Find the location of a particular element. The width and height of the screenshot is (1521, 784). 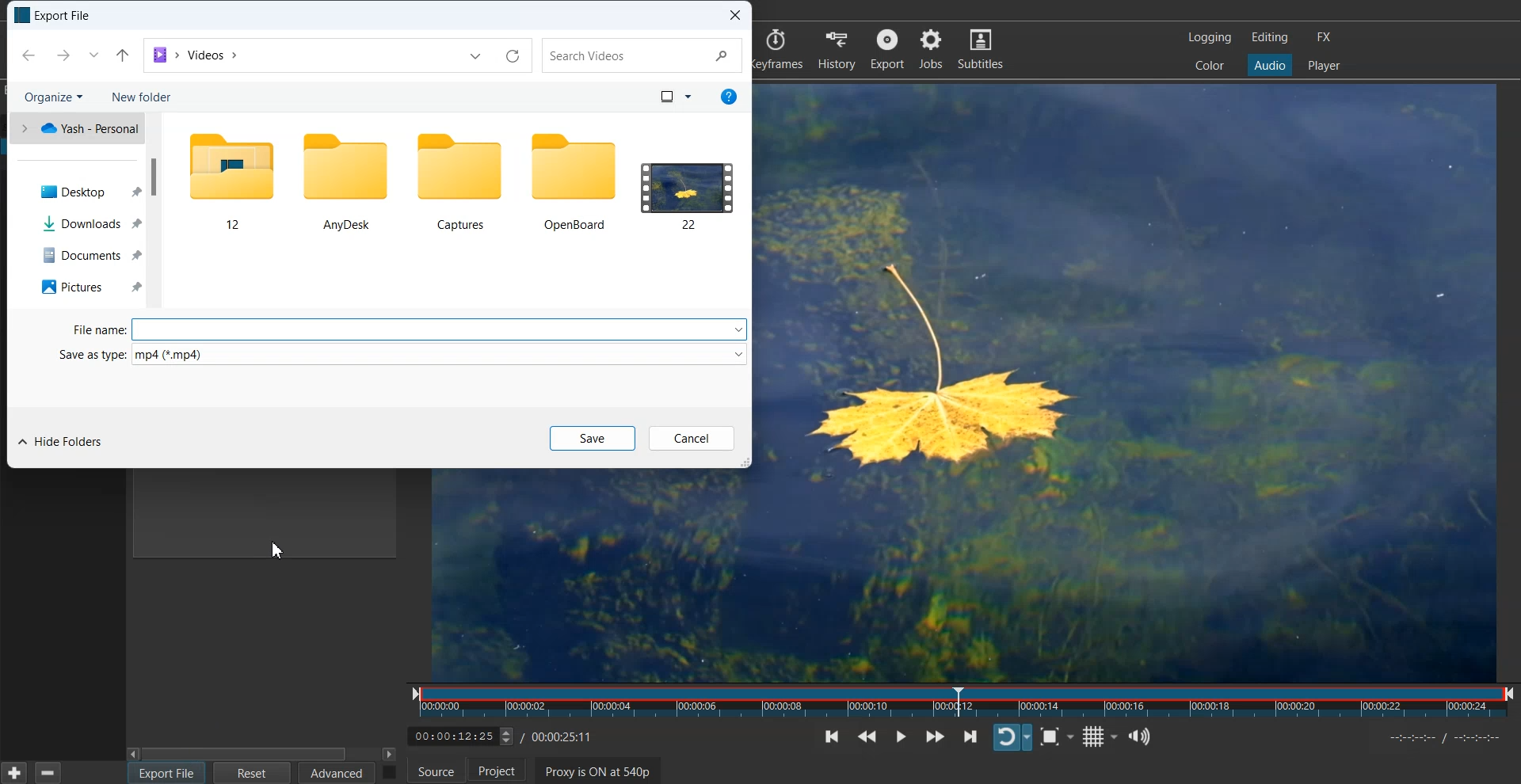

Play quickly backwards is located at coordinates (874, 736).